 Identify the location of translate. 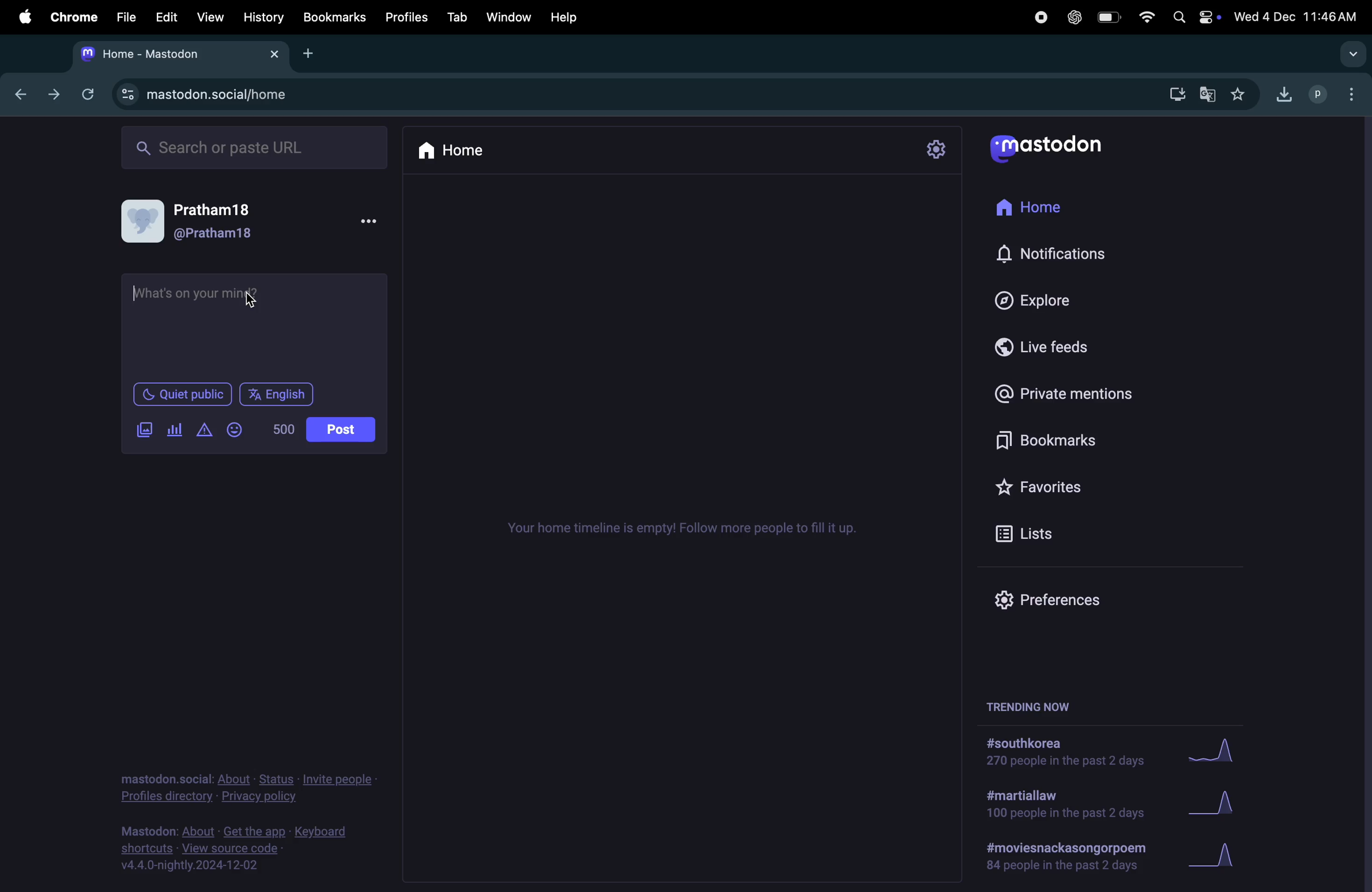
(1211, 93).